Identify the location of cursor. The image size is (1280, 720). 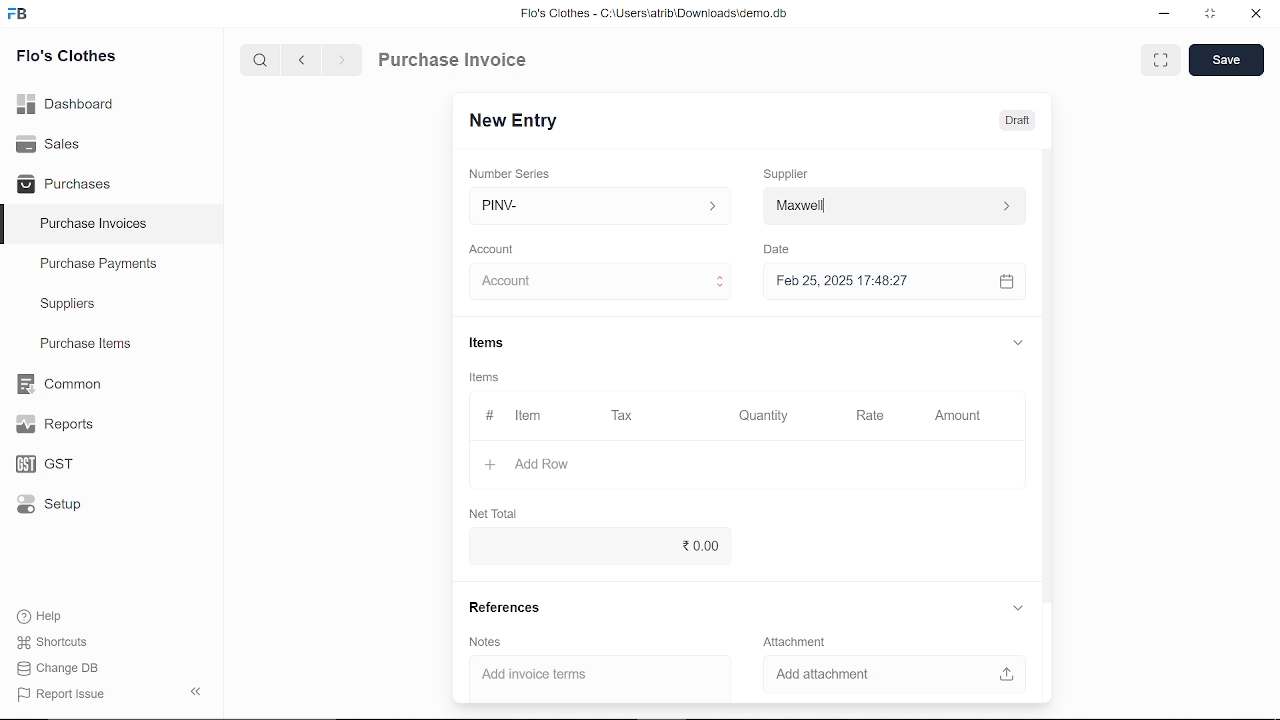
(525, 282).